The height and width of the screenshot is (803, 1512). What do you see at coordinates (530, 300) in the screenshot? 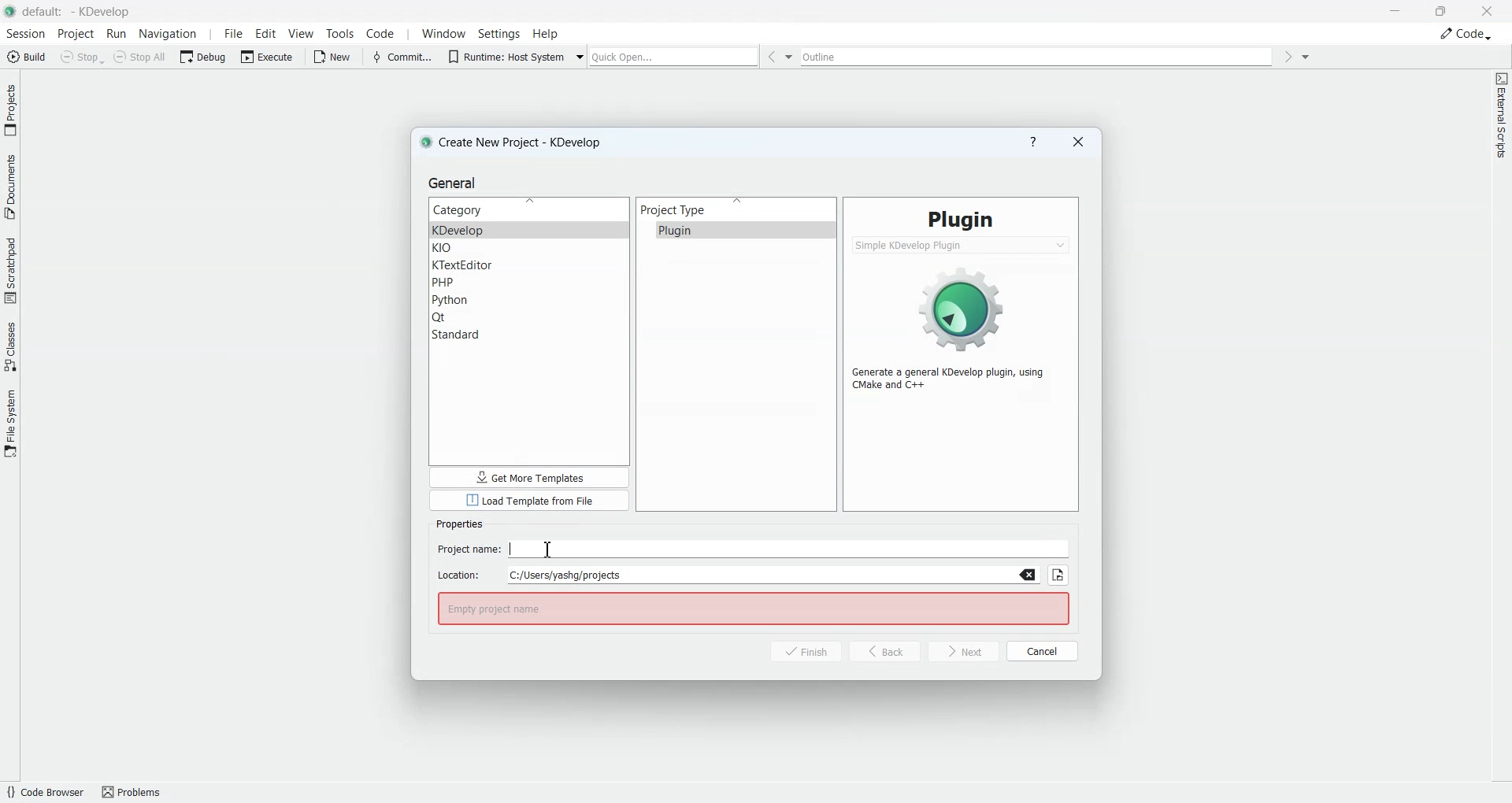
I see `Python` at bounding box center [530, 300].